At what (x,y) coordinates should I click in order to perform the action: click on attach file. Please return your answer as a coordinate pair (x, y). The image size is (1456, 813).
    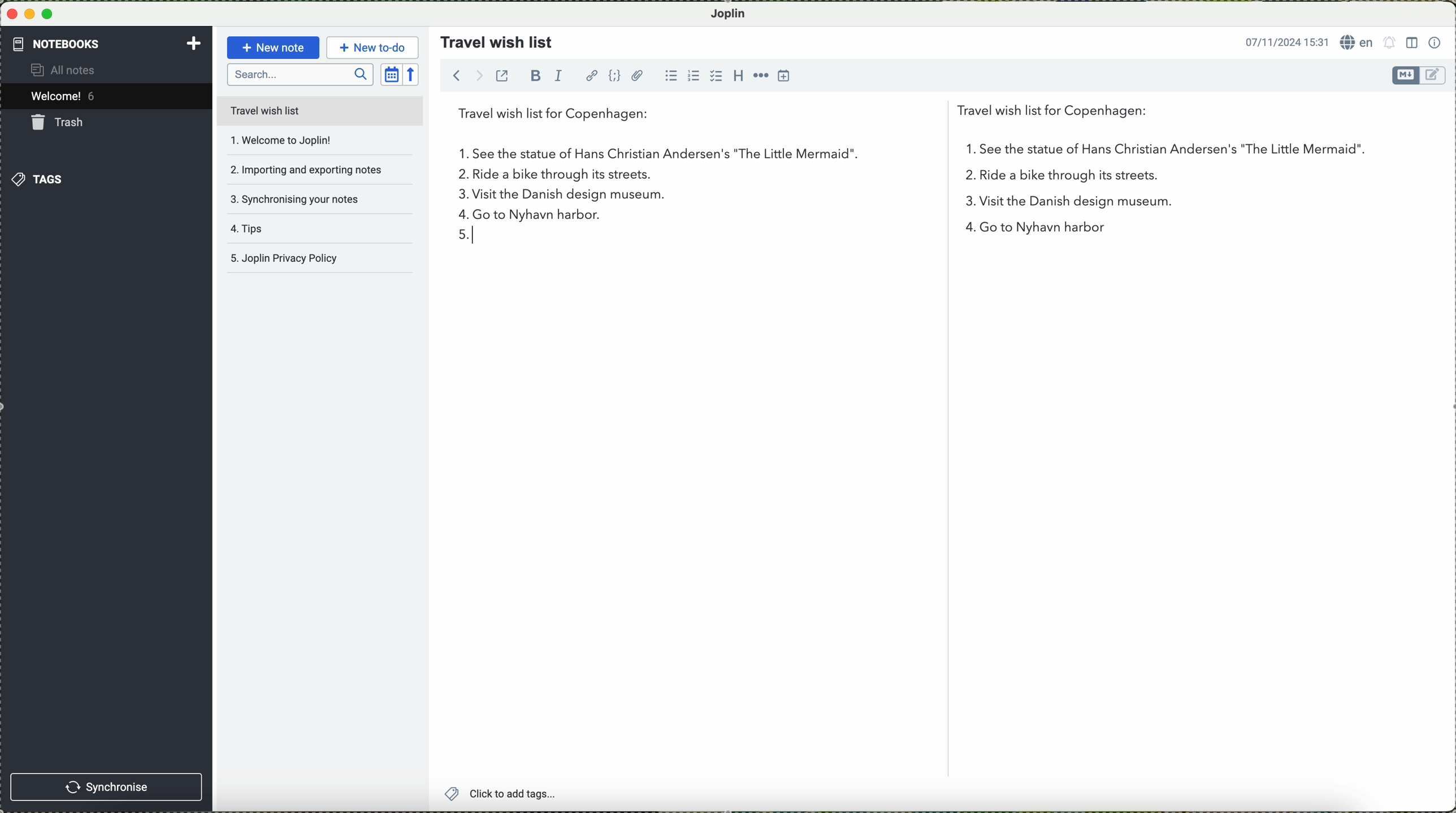
    Looking at the image, I should click on (638, 75).